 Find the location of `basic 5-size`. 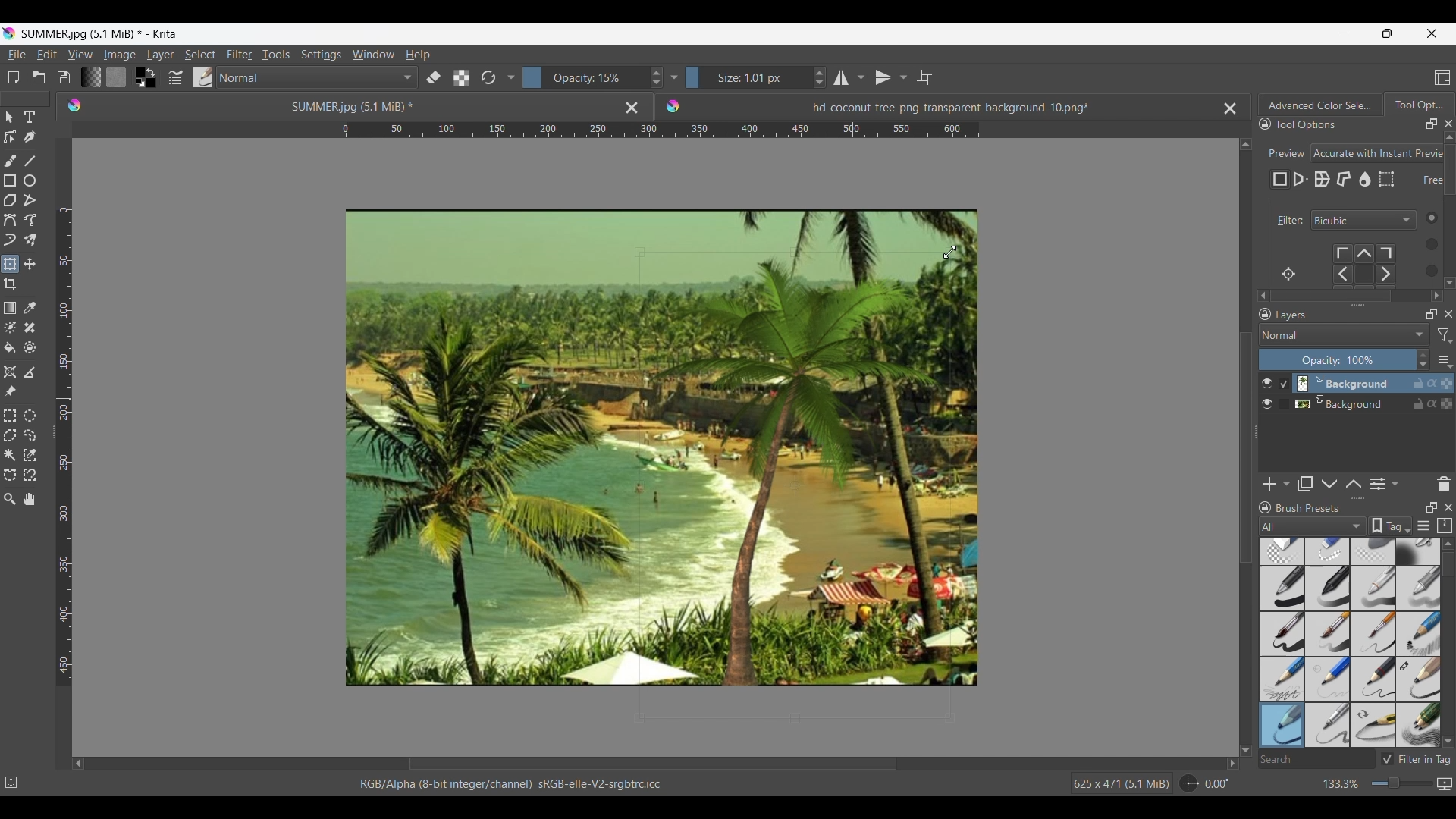

basic 5-size is located at coordinates (1283, 634).